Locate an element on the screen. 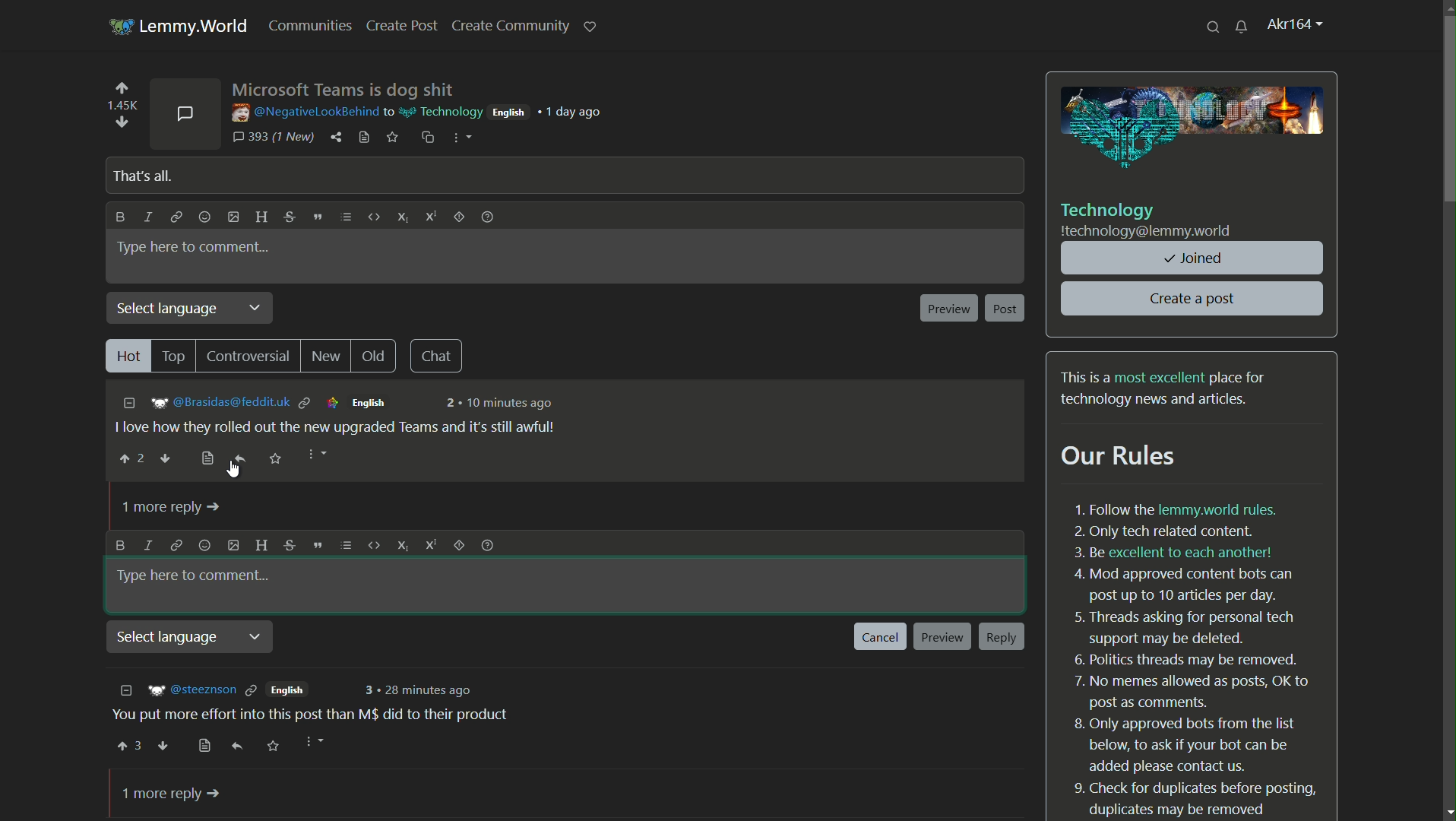  community server name is located at coordinates (1147, 232).